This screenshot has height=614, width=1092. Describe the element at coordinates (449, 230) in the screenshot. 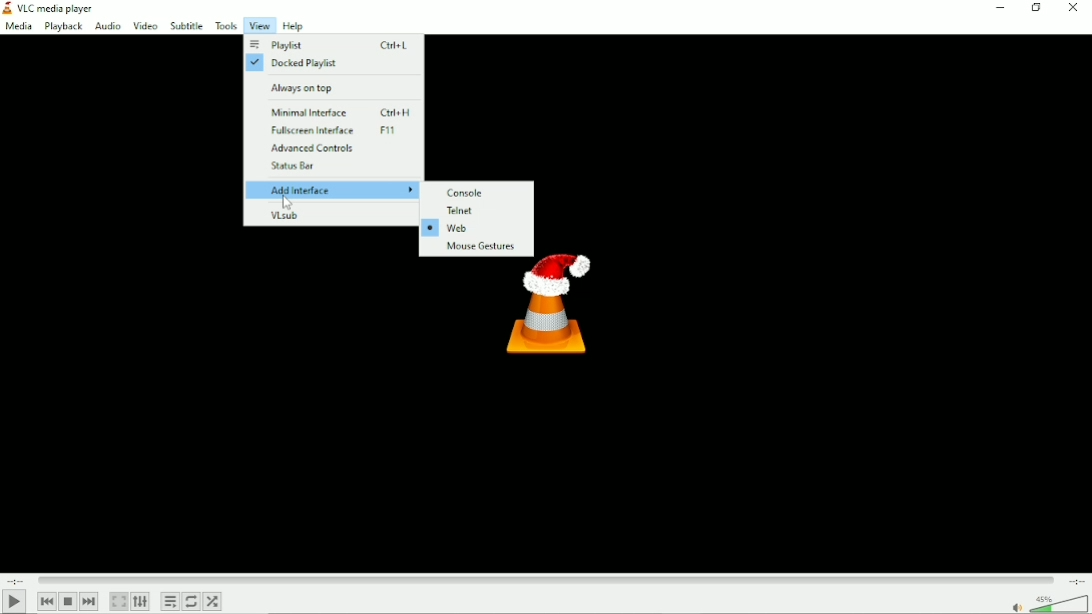

I see `Web` at that location.